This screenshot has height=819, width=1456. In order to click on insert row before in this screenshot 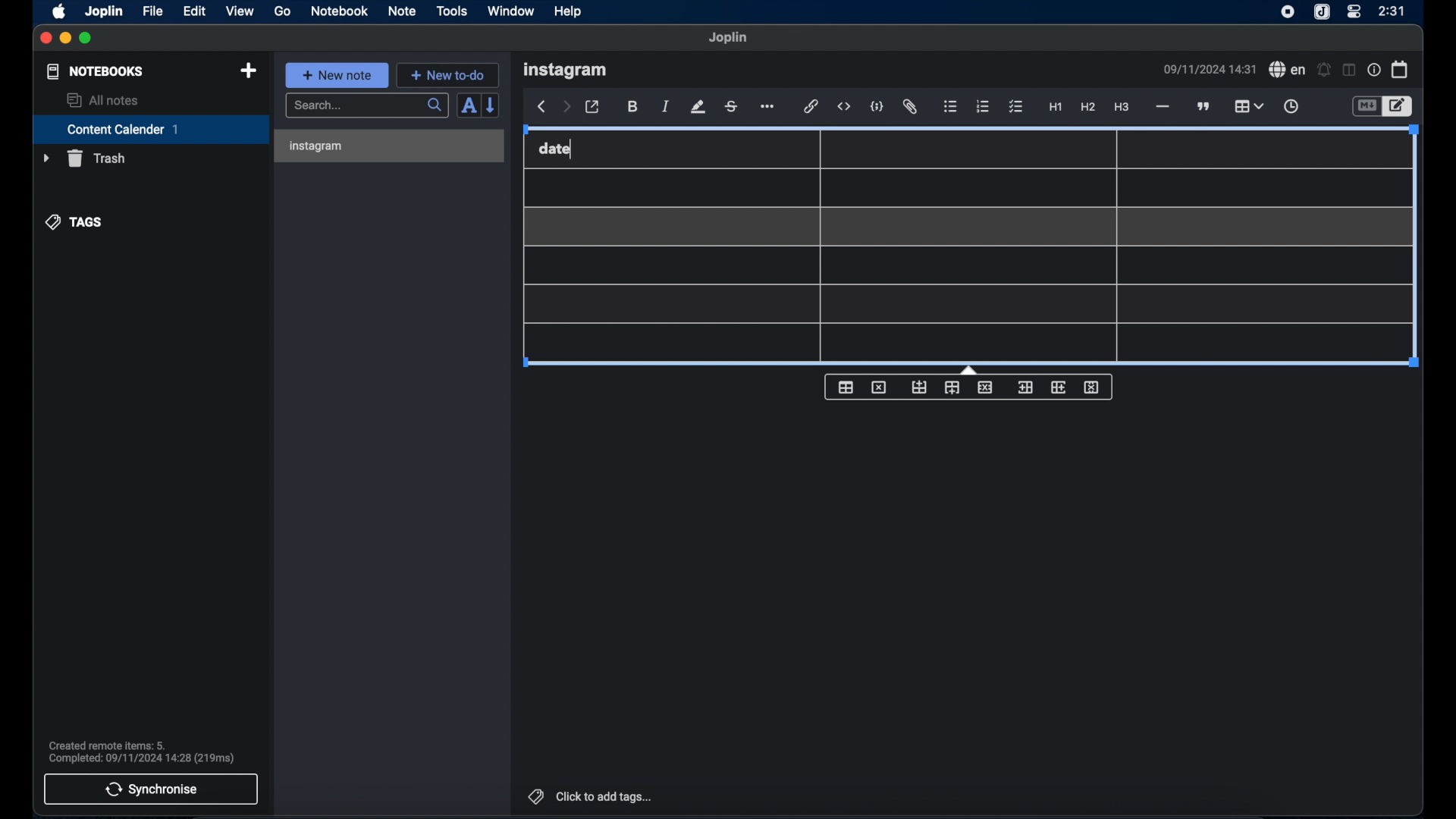, I will do `click(919, 386)`.